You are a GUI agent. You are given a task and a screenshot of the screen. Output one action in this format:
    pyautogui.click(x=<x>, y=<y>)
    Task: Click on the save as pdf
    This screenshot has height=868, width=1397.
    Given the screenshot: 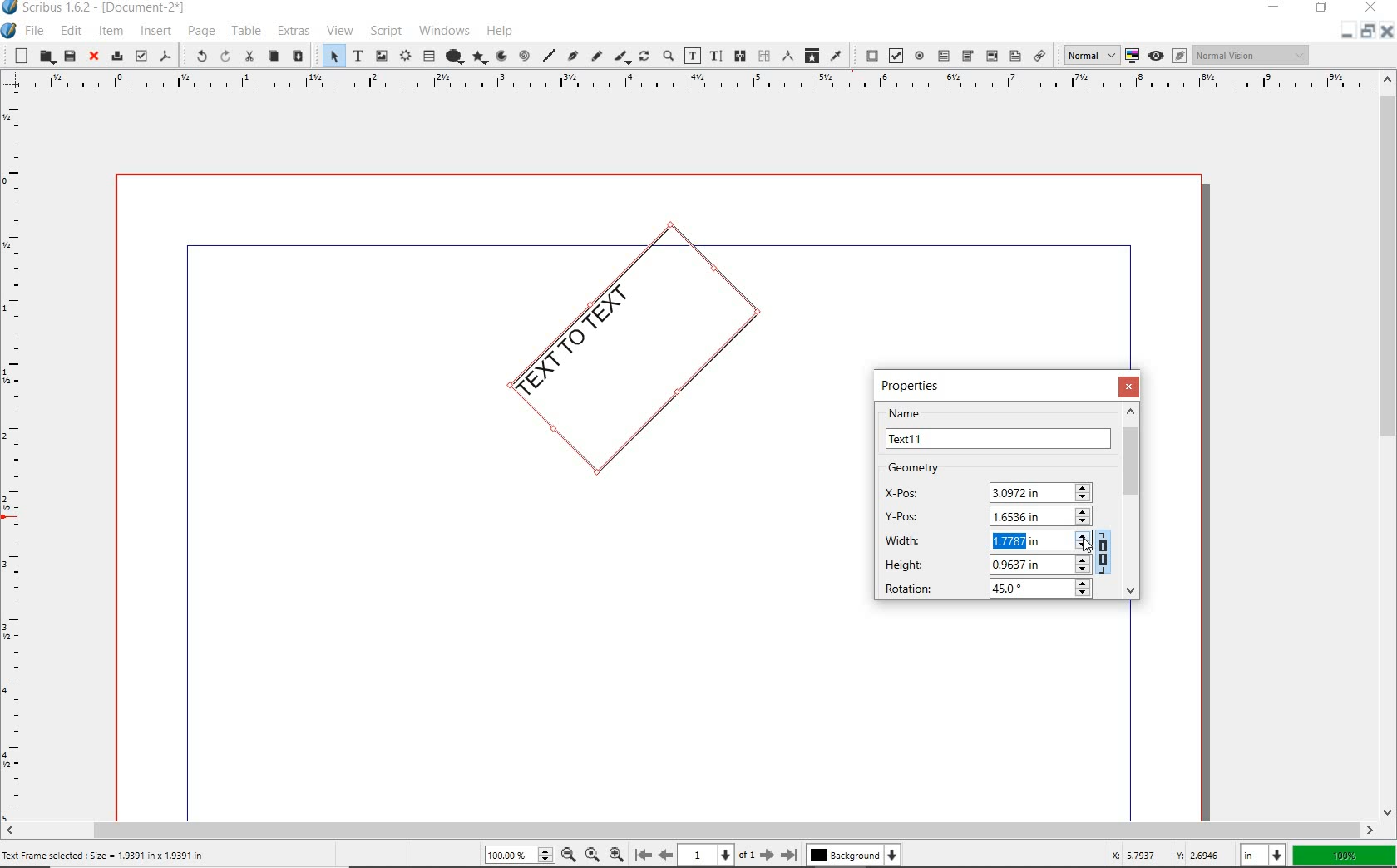 What is the action you would take?
    pyautogui.click(x=165, y=57)
    